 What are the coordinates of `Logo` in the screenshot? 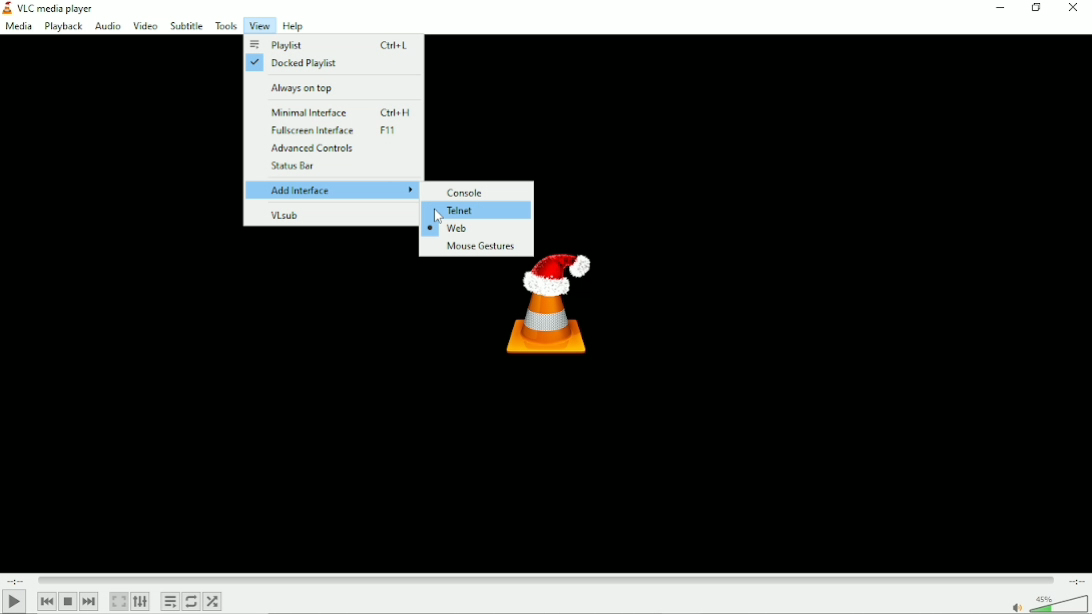 It's located at (540, 323).